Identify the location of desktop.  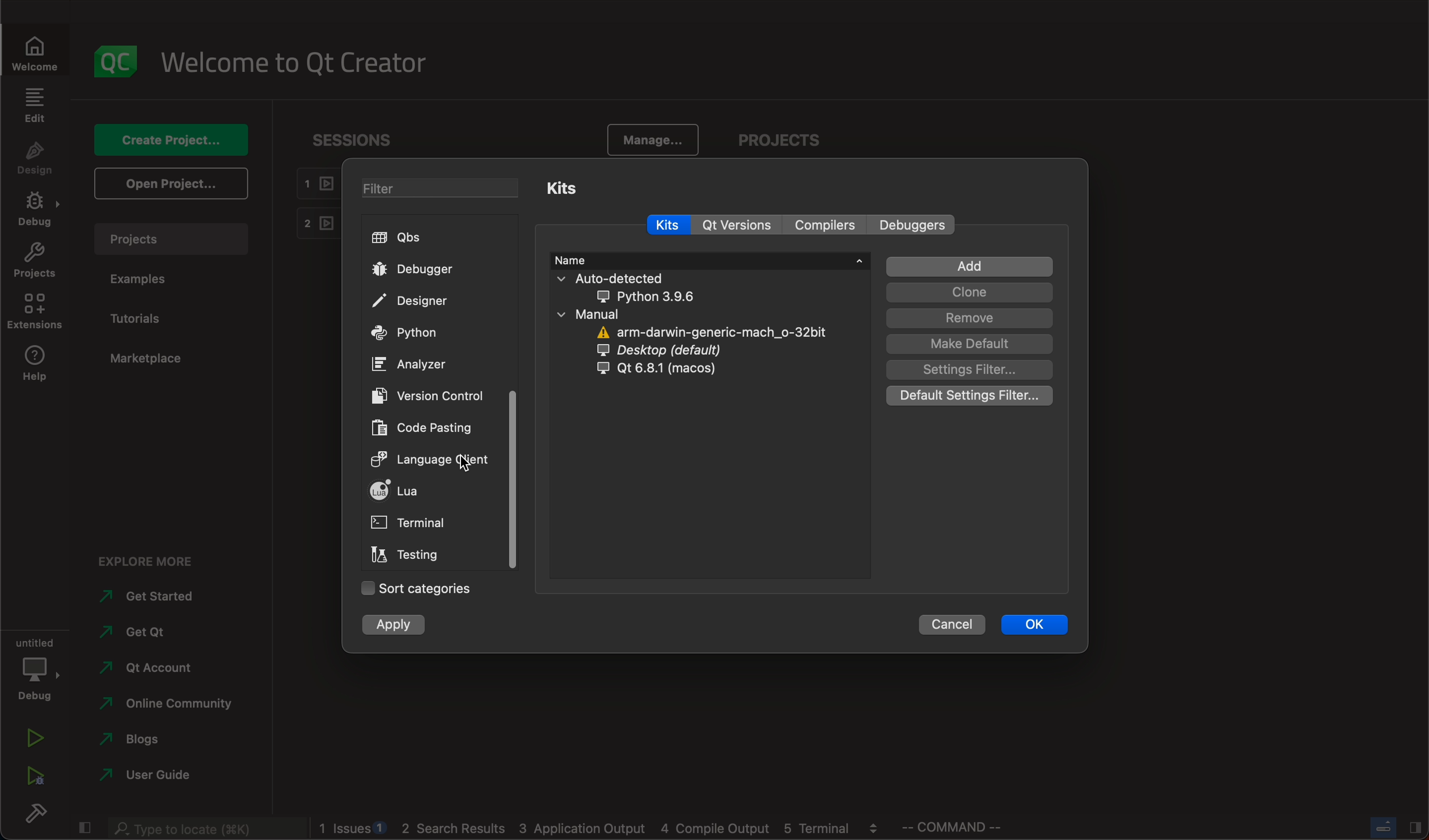
(683, 351).